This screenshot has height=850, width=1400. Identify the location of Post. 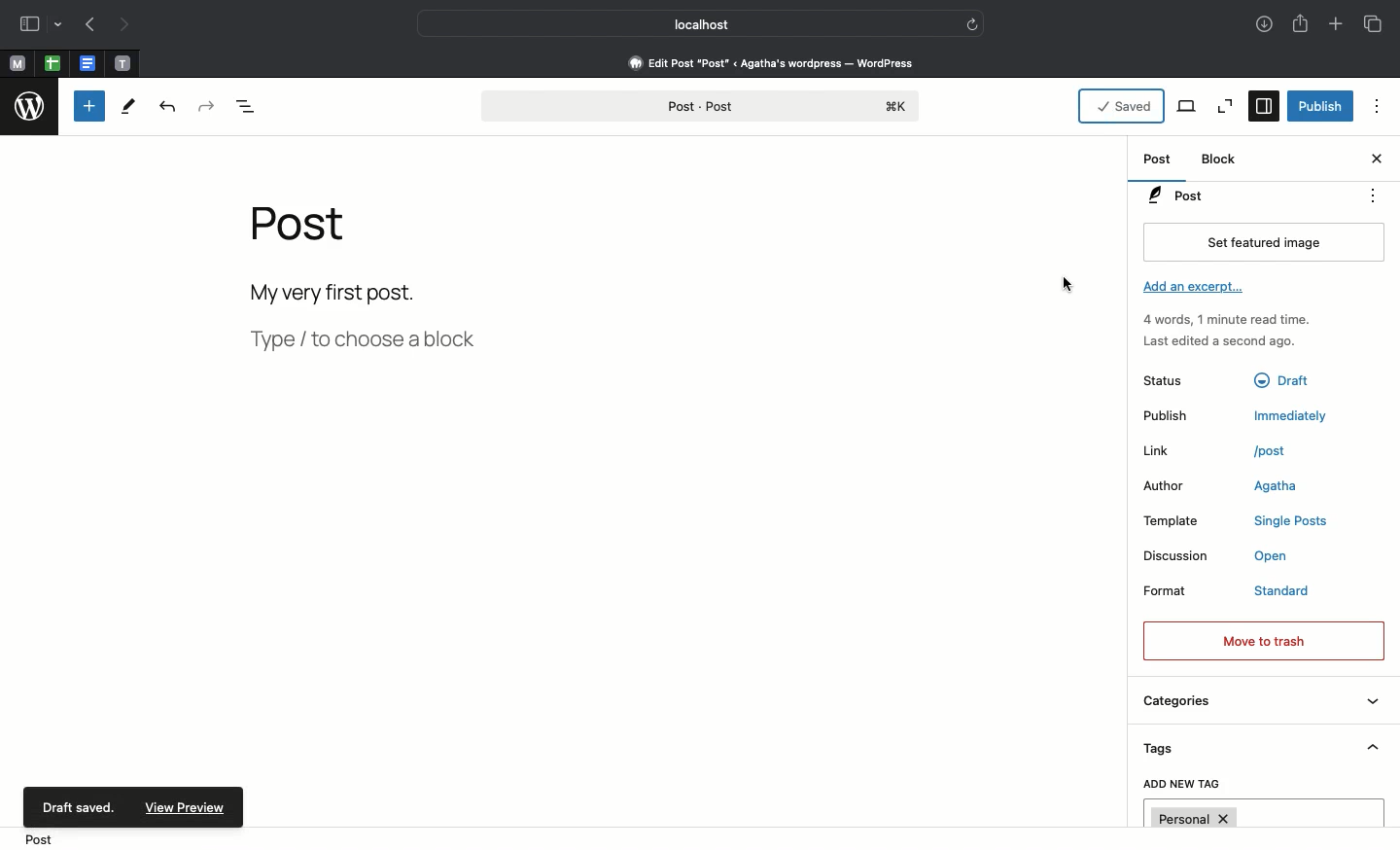
(704, 102).